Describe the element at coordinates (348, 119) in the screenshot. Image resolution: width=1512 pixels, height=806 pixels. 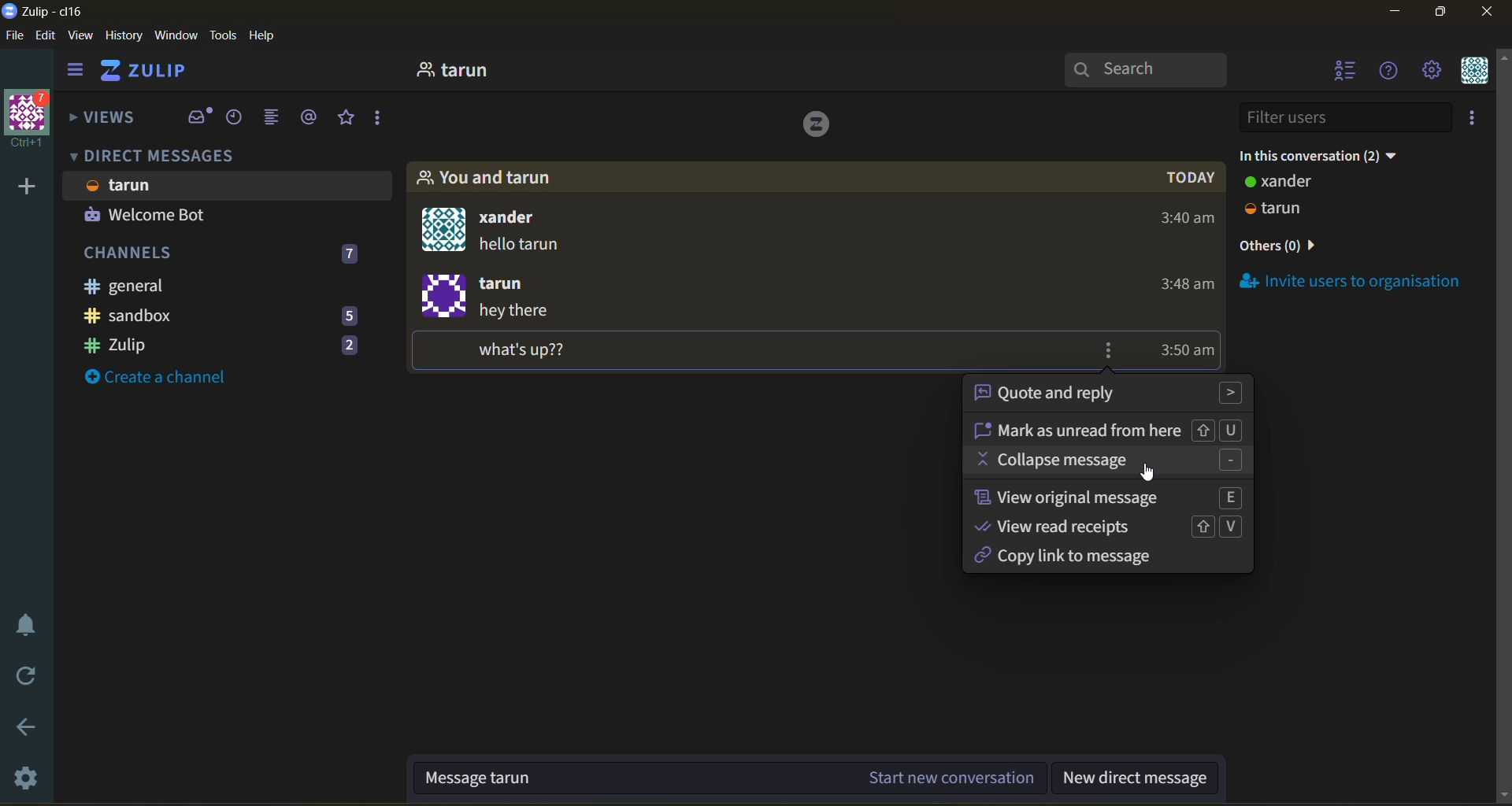
I see `starred messages` at that location.